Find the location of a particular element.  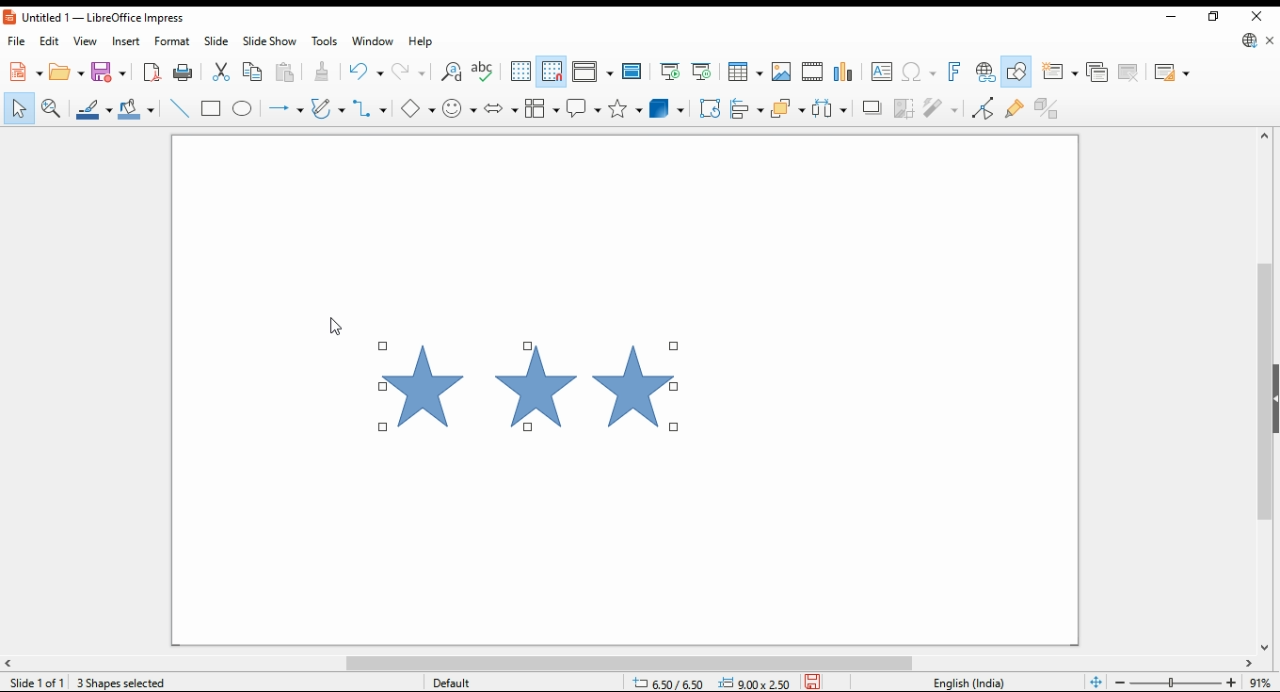

insert textbox is located at coordinates (881, 73).